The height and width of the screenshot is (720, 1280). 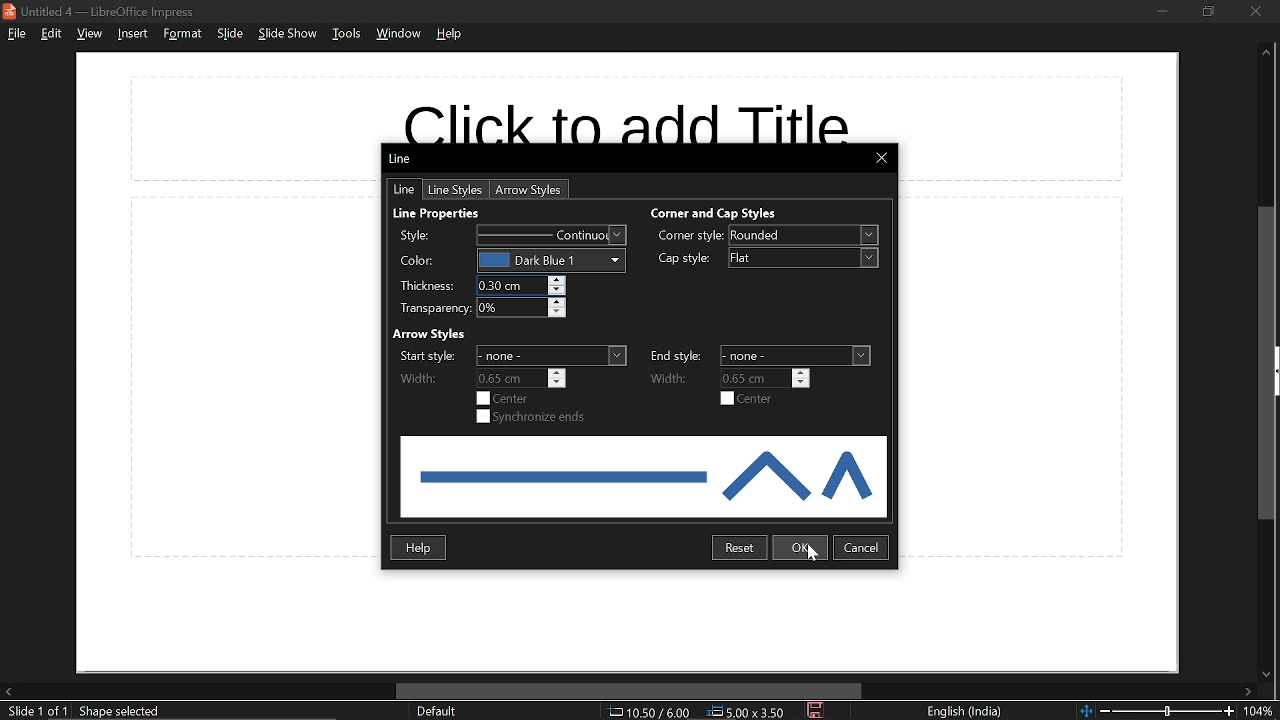 I want to click on ok, so click(x=799, y=547).